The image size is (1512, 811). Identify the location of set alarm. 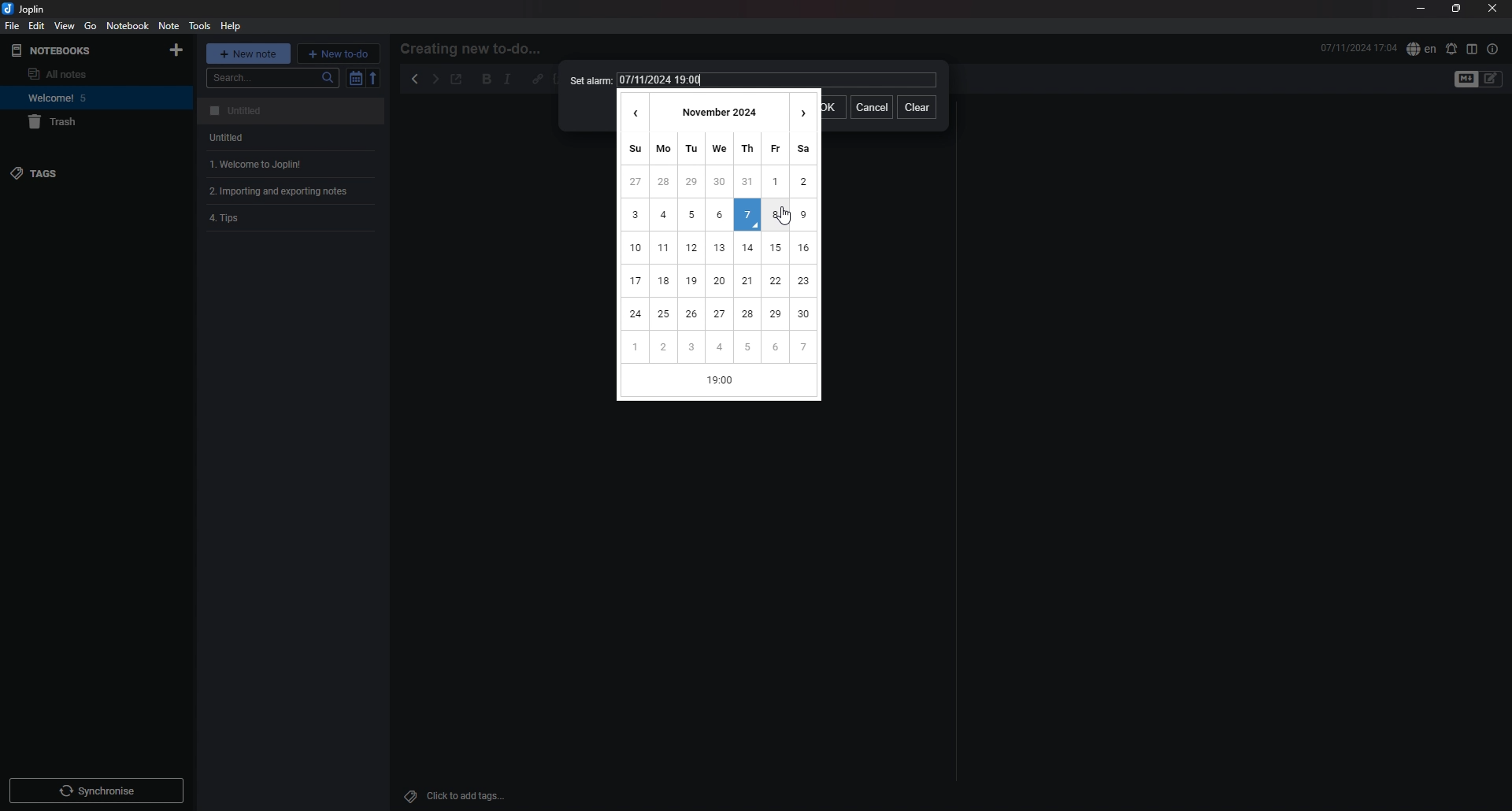
(1452, 48).